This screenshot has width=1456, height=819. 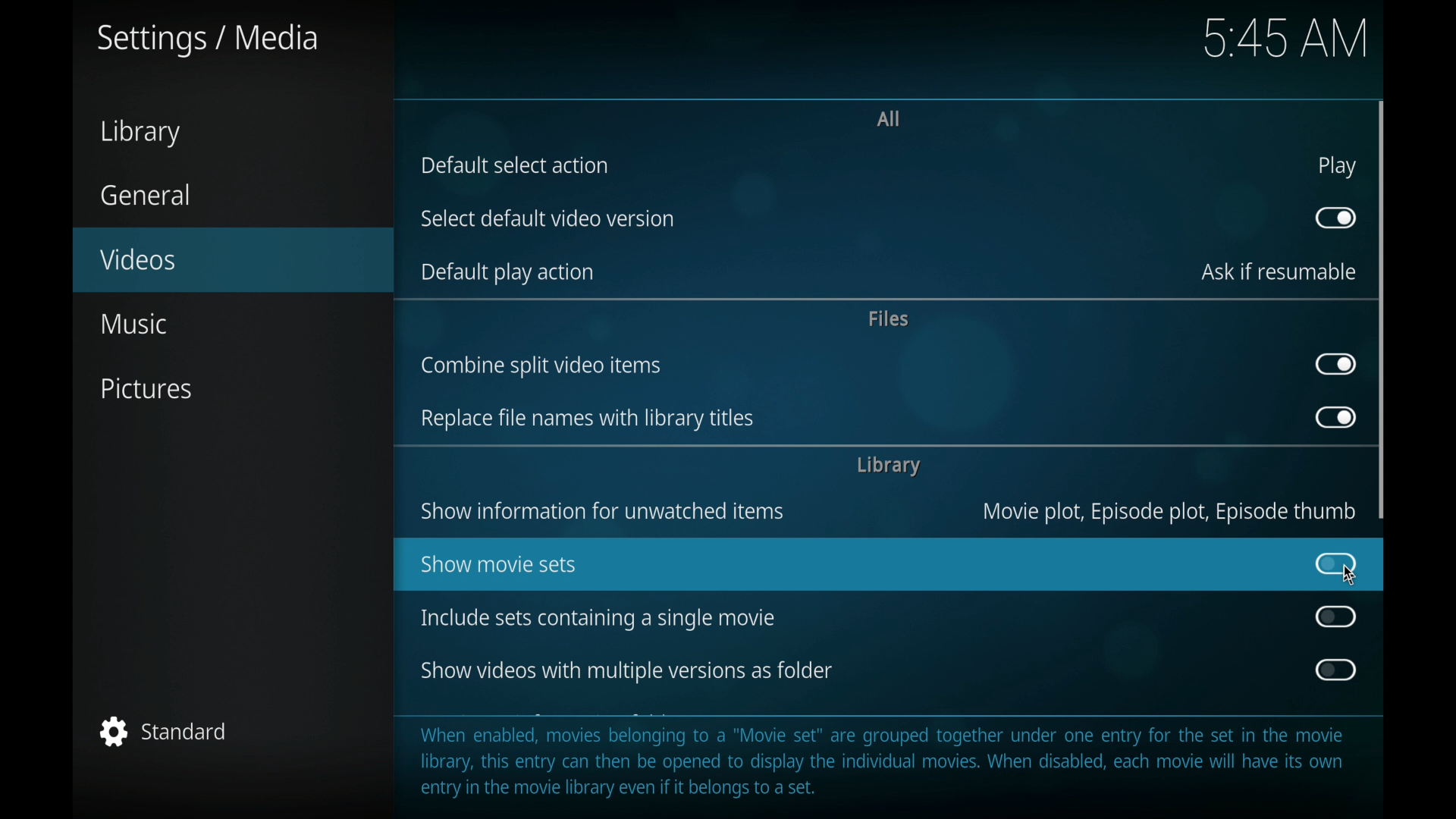 I want to click on include sets, so click(x=596, y=619).